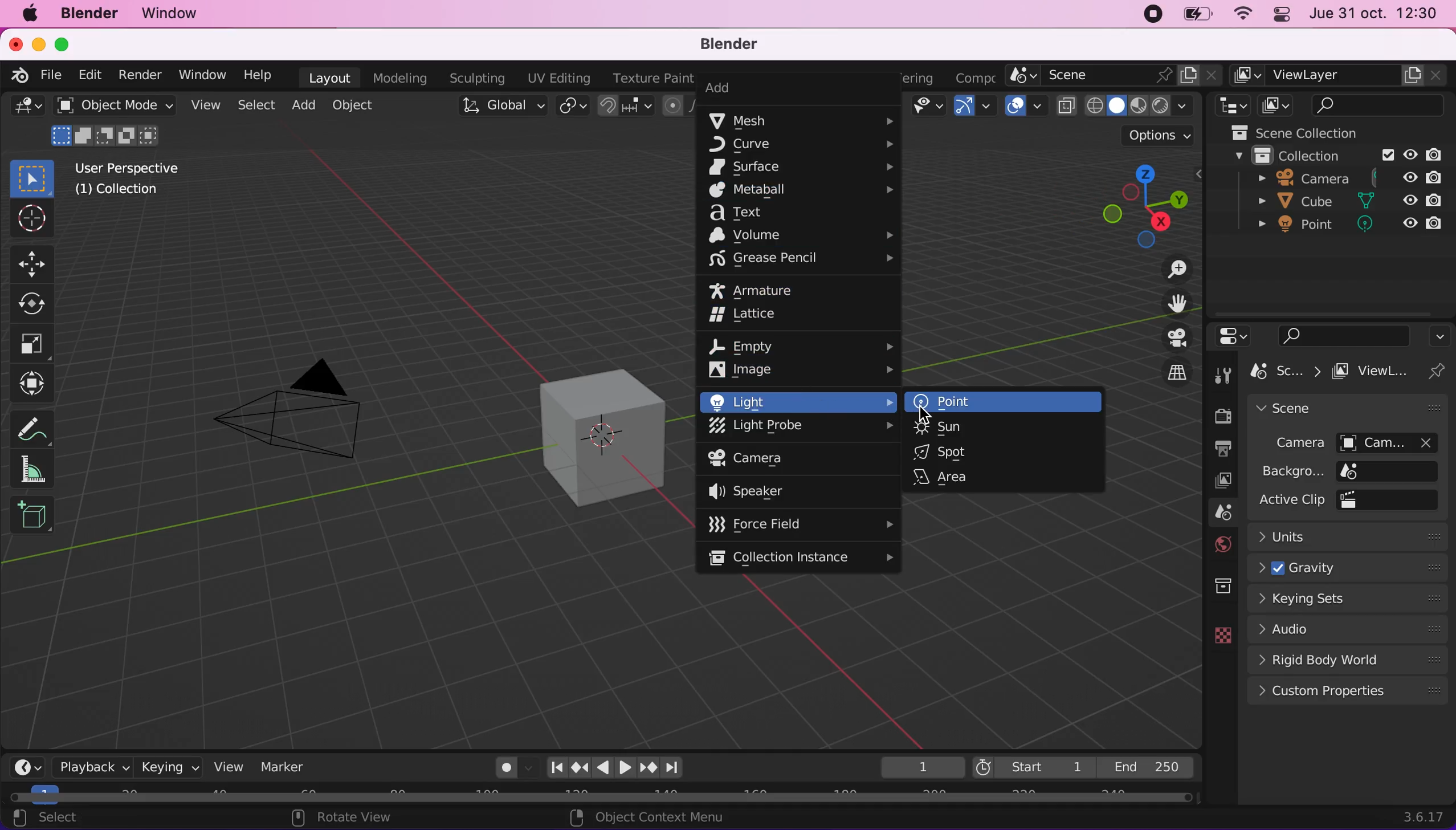 Image resolution: width=1456 pixels, height=830 pixels. What do you see at coordinates (552, 768) in the screenshot?
I see `Jump to startpoint` at bounding box center [552, 768].